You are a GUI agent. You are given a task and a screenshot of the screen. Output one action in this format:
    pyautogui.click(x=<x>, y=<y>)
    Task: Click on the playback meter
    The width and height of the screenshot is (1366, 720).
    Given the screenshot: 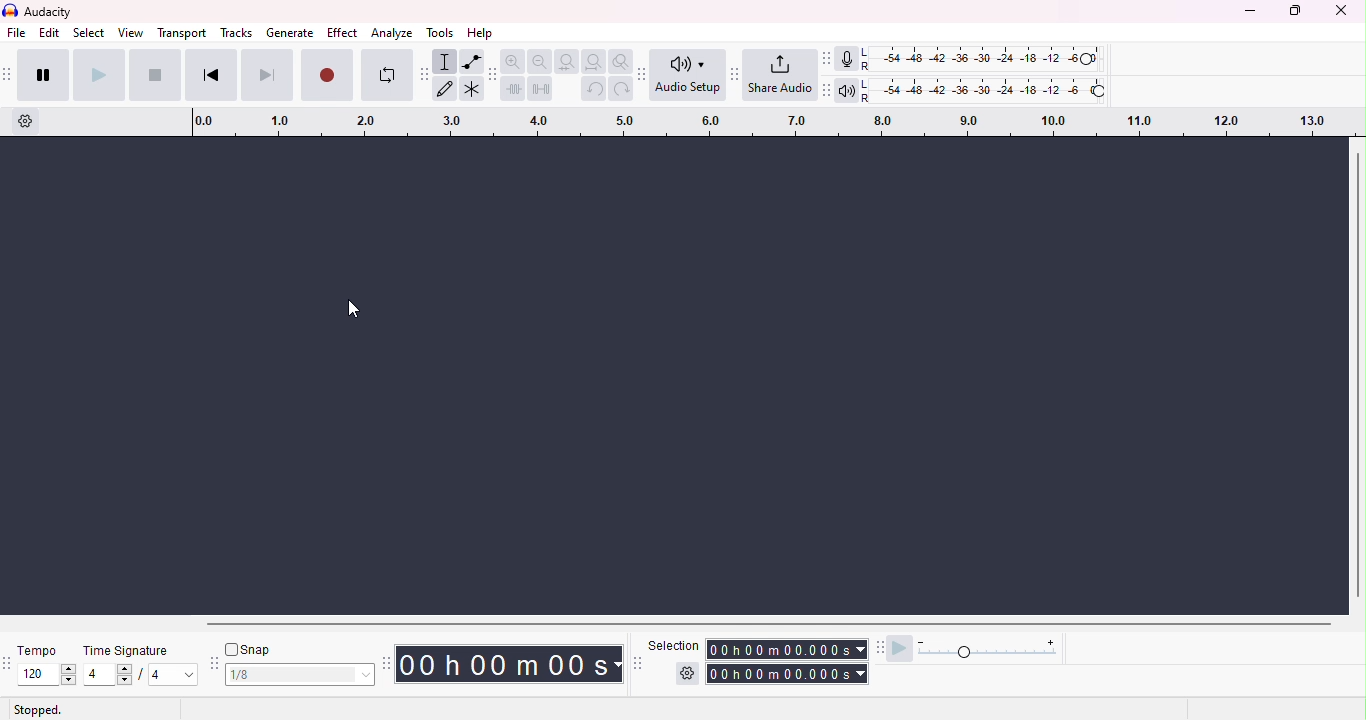 What is the action you would take?
    pyautogui.click(x=849, y=89)
    